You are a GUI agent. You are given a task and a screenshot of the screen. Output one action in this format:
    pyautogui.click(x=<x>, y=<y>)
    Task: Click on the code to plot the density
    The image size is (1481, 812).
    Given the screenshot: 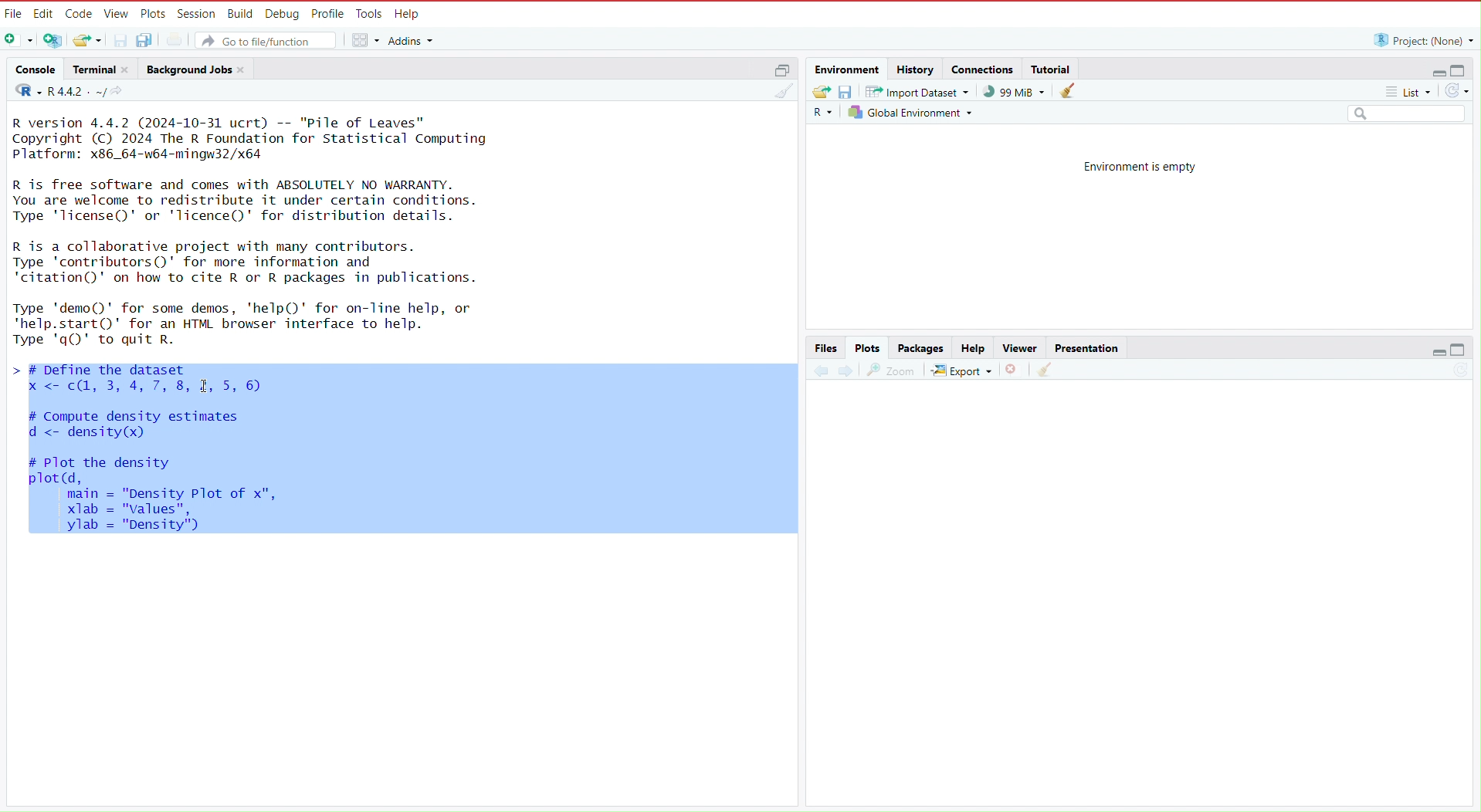 What is the action you would take?
    pyautogui.click(x=161, y=502)
    